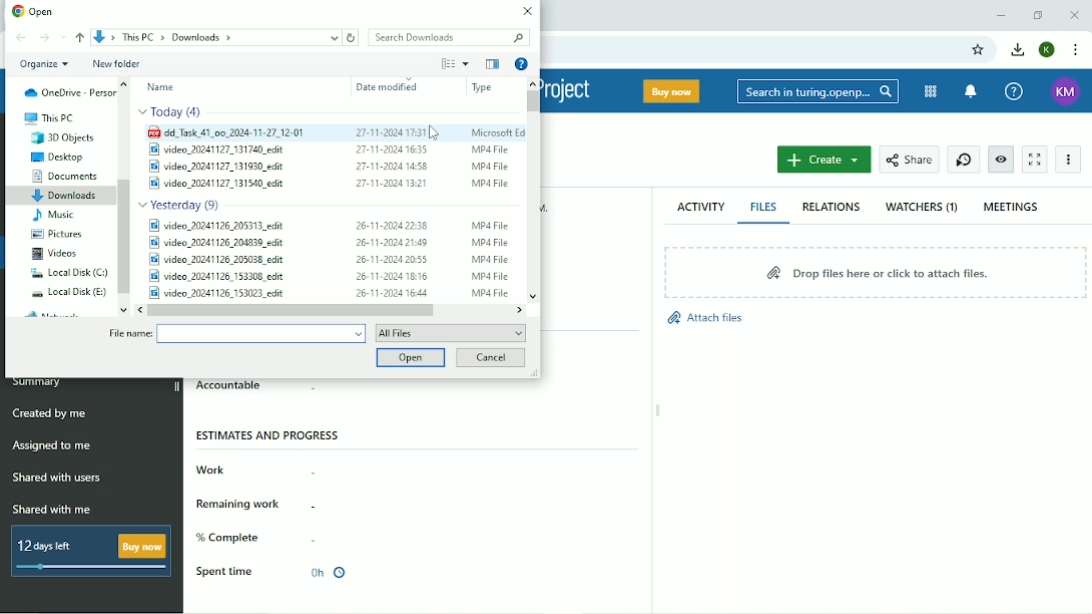 The height and width of the screenshot is (614, 1092). I want to click on Set new timer, so click(962, 158).